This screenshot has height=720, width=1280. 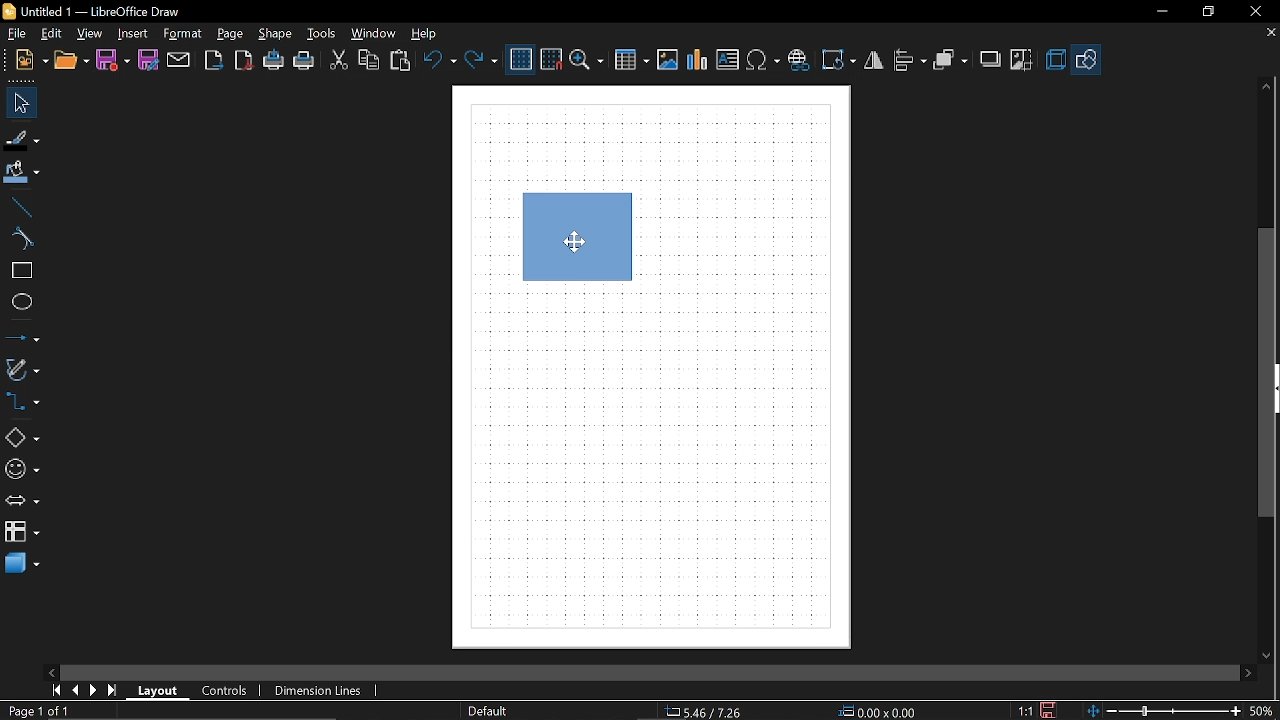 I want to click on Minimize, so click(x=1158, y=11).